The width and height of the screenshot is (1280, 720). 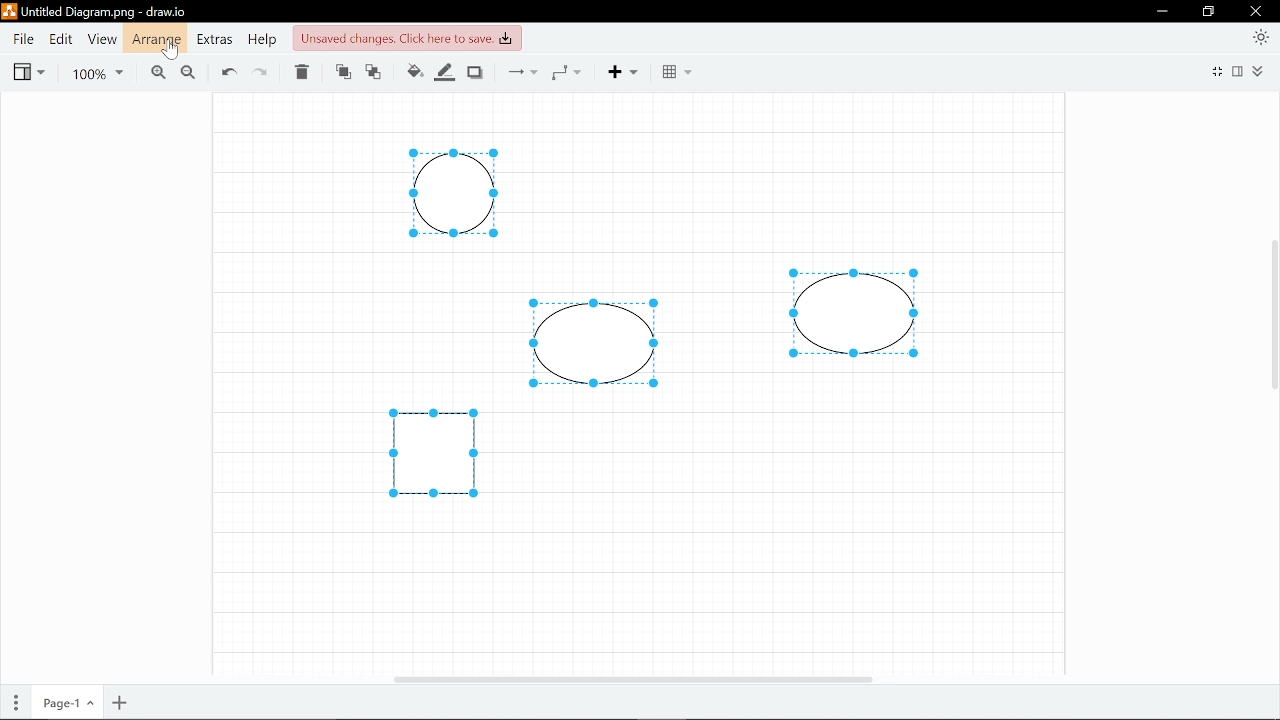 What do you see at coordinates (676, 72) in the screenshot?
I see `Table` at bounding box center [676, 72].